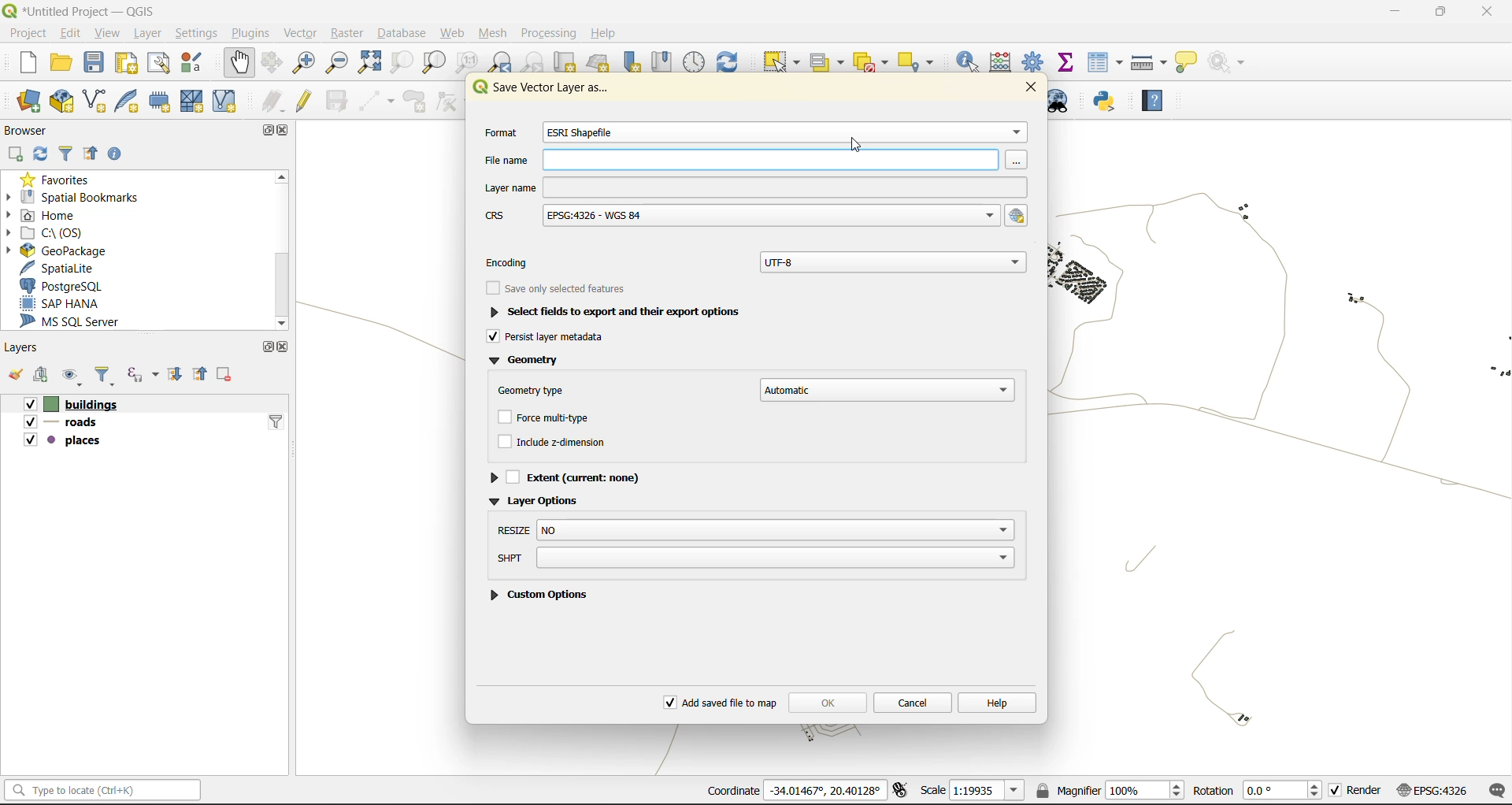 Image resolution: width=1512 pixels, height=805 pixels. What do you see at coordinates (57, 233) in the screenshot?
I see `c\:os` at bounding box center [57, 233].